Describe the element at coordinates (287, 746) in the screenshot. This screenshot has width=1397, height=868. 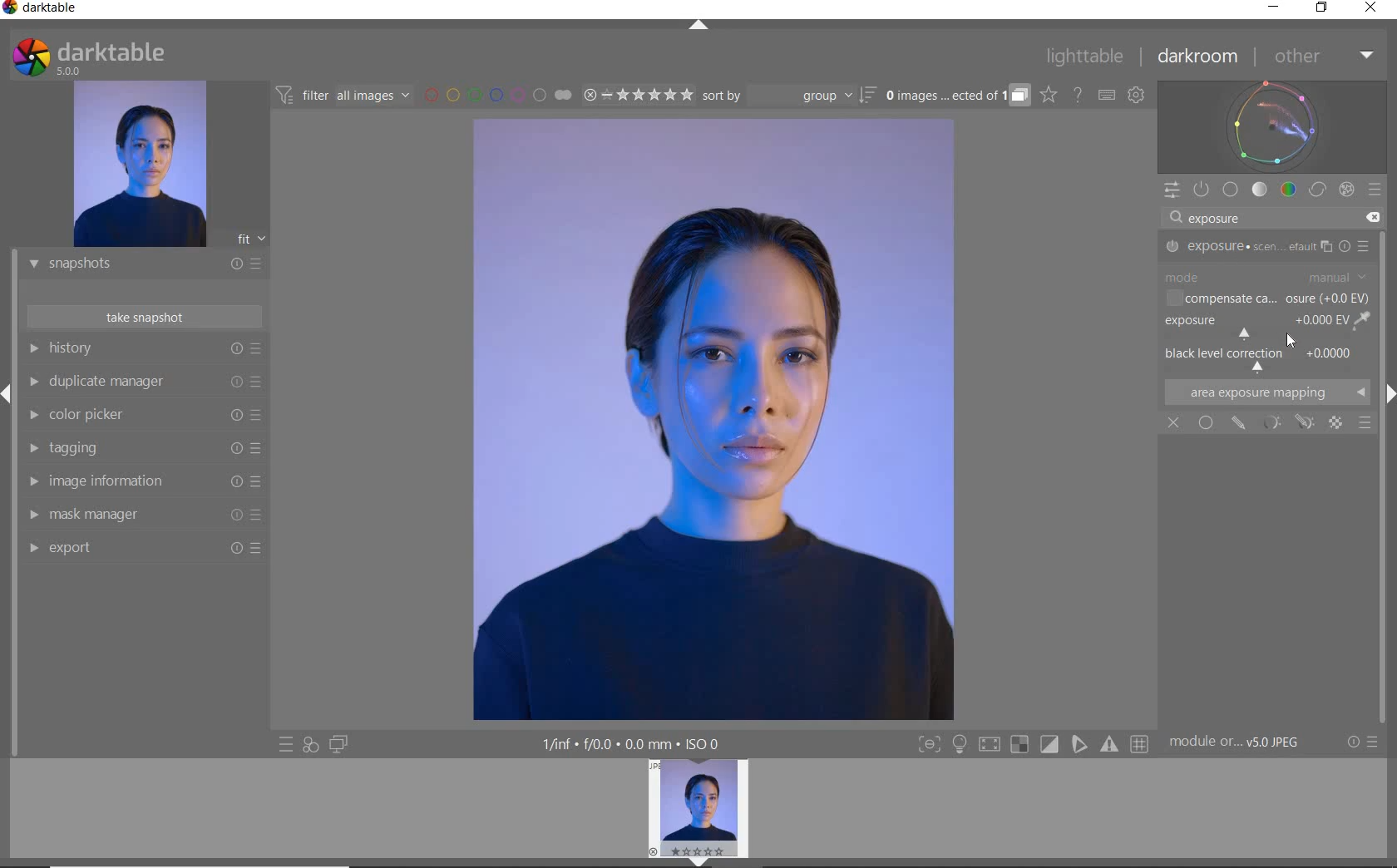
I see `QUICK ACCESS TO PRESET` at that location.